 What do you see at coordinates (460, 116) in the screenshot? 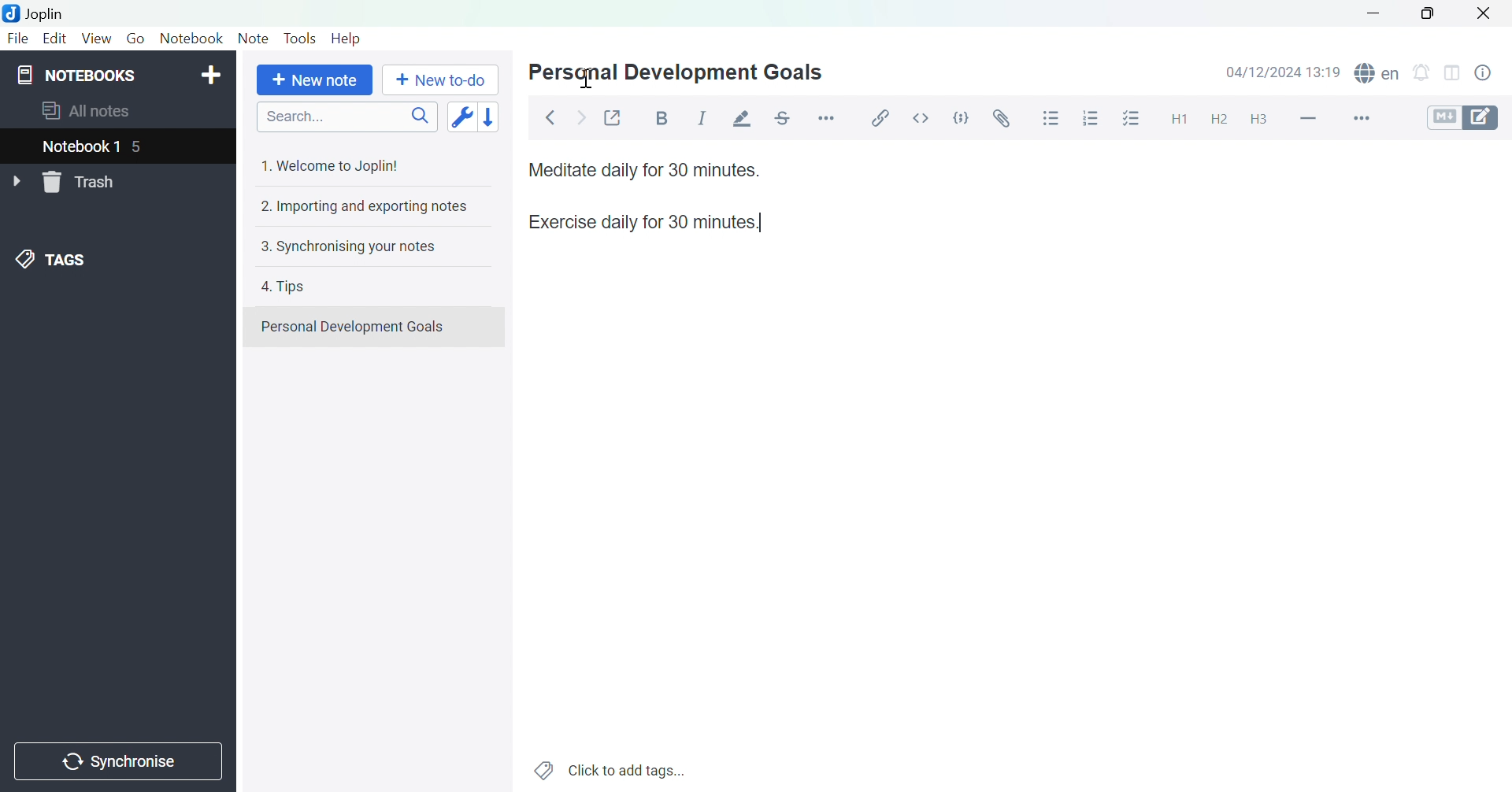
I see `Toggle sort order field` at bounding box center [460, 116].